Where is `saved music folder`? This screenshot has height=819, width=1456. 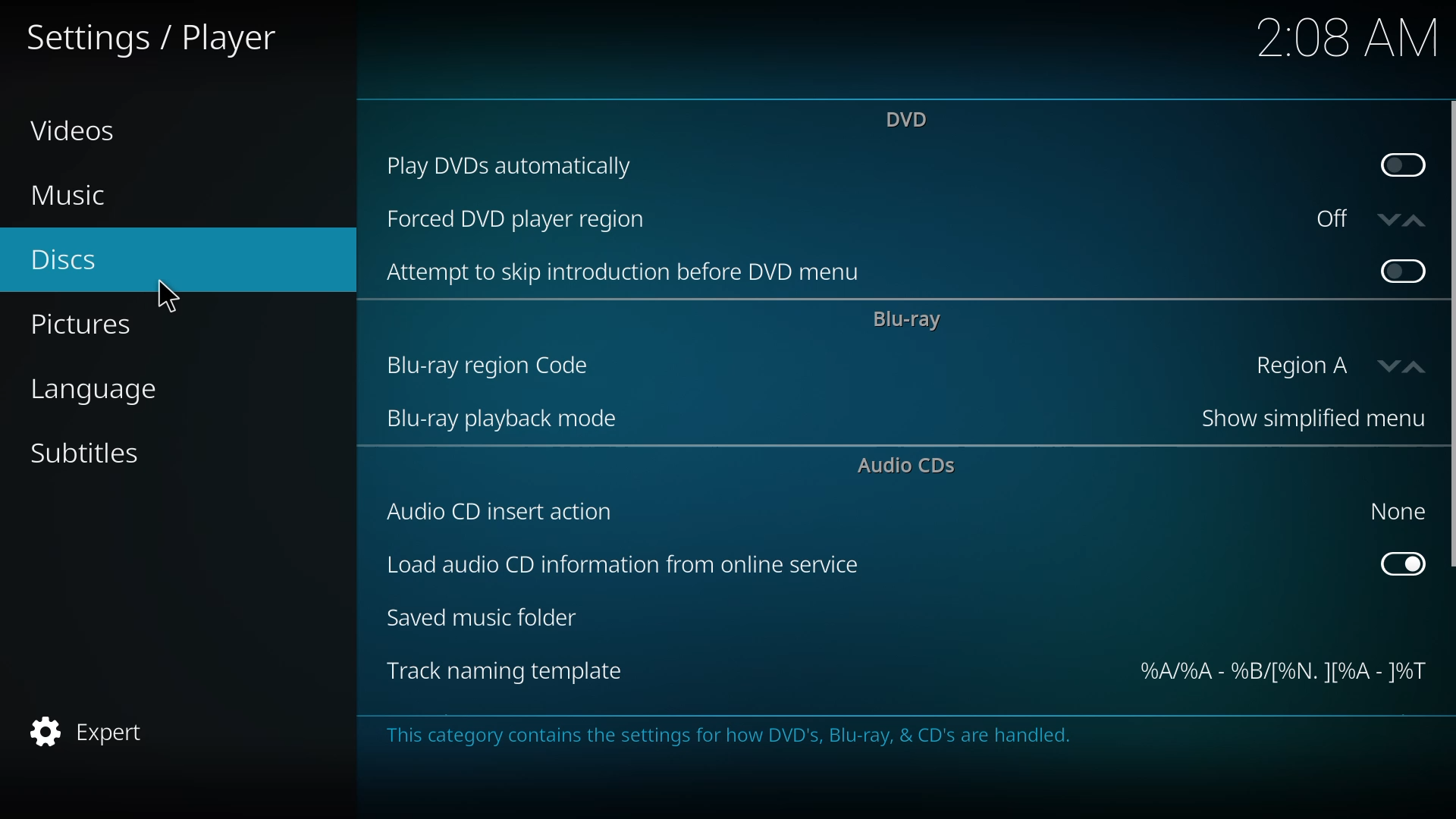 saved music folder is located at coordinates (488, 620).